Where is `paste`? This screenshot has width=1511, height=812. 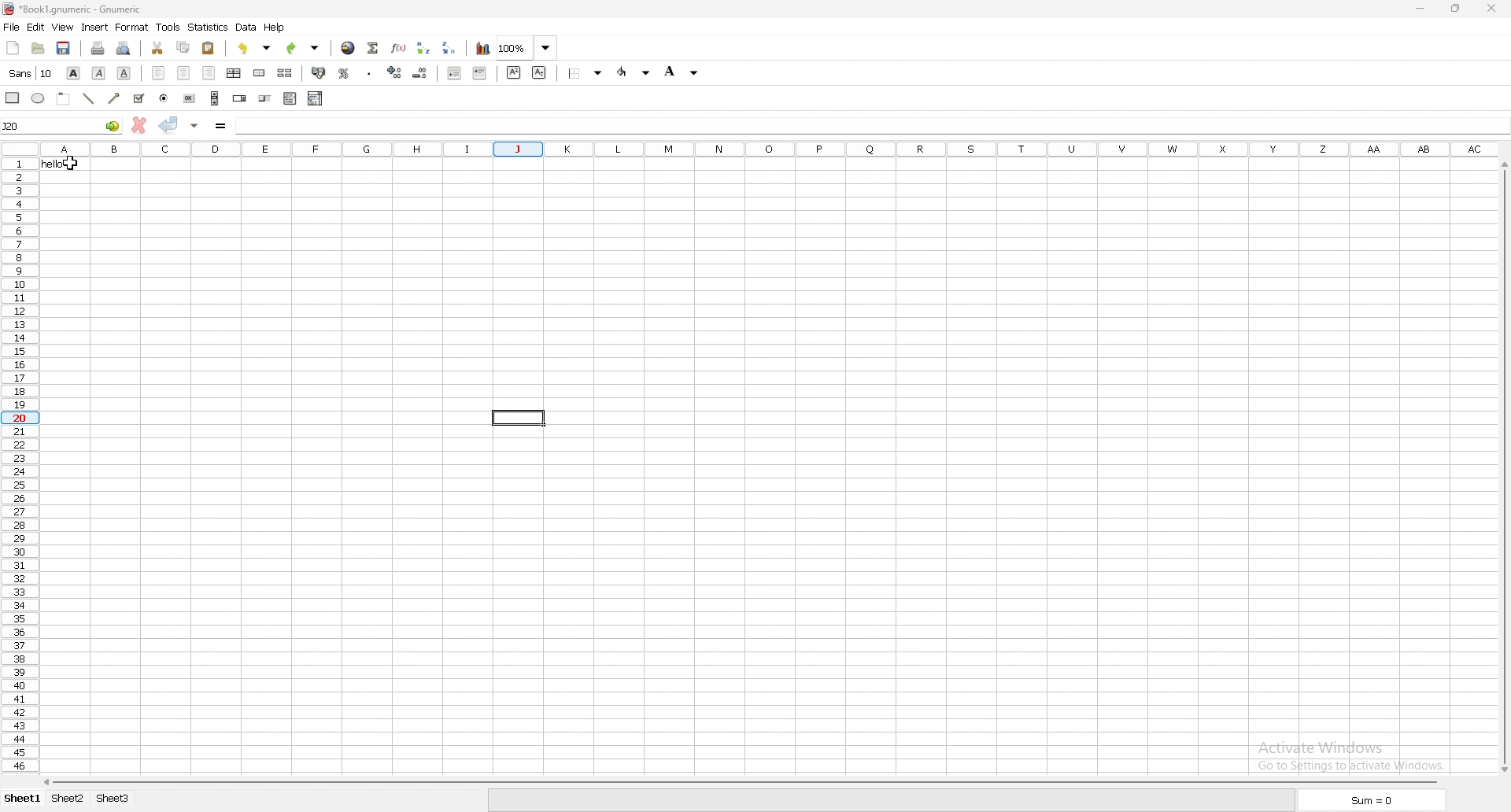 paste is located at coordinates (209, 49).